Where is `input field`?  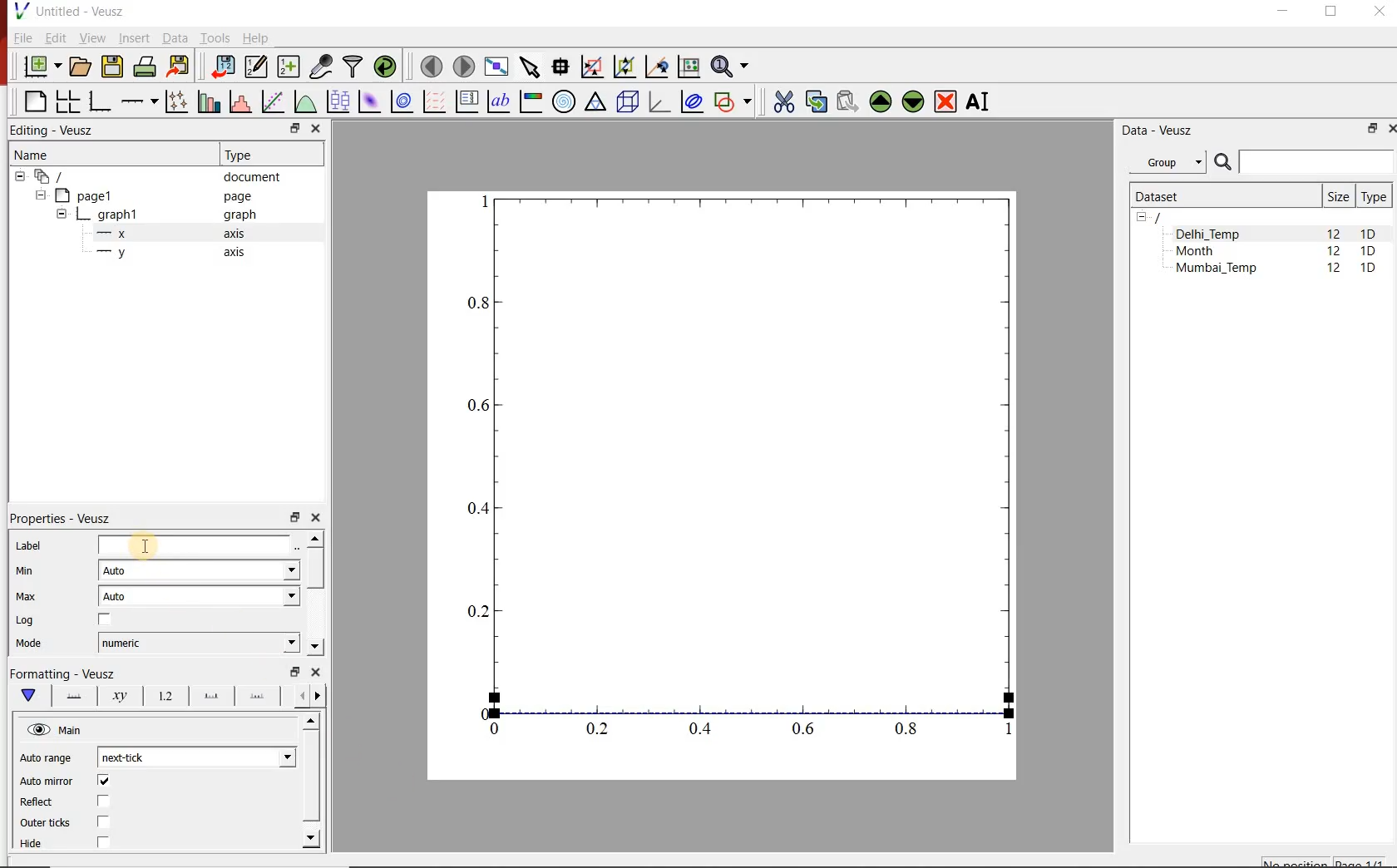
input field is located at coordinates (200, 546).